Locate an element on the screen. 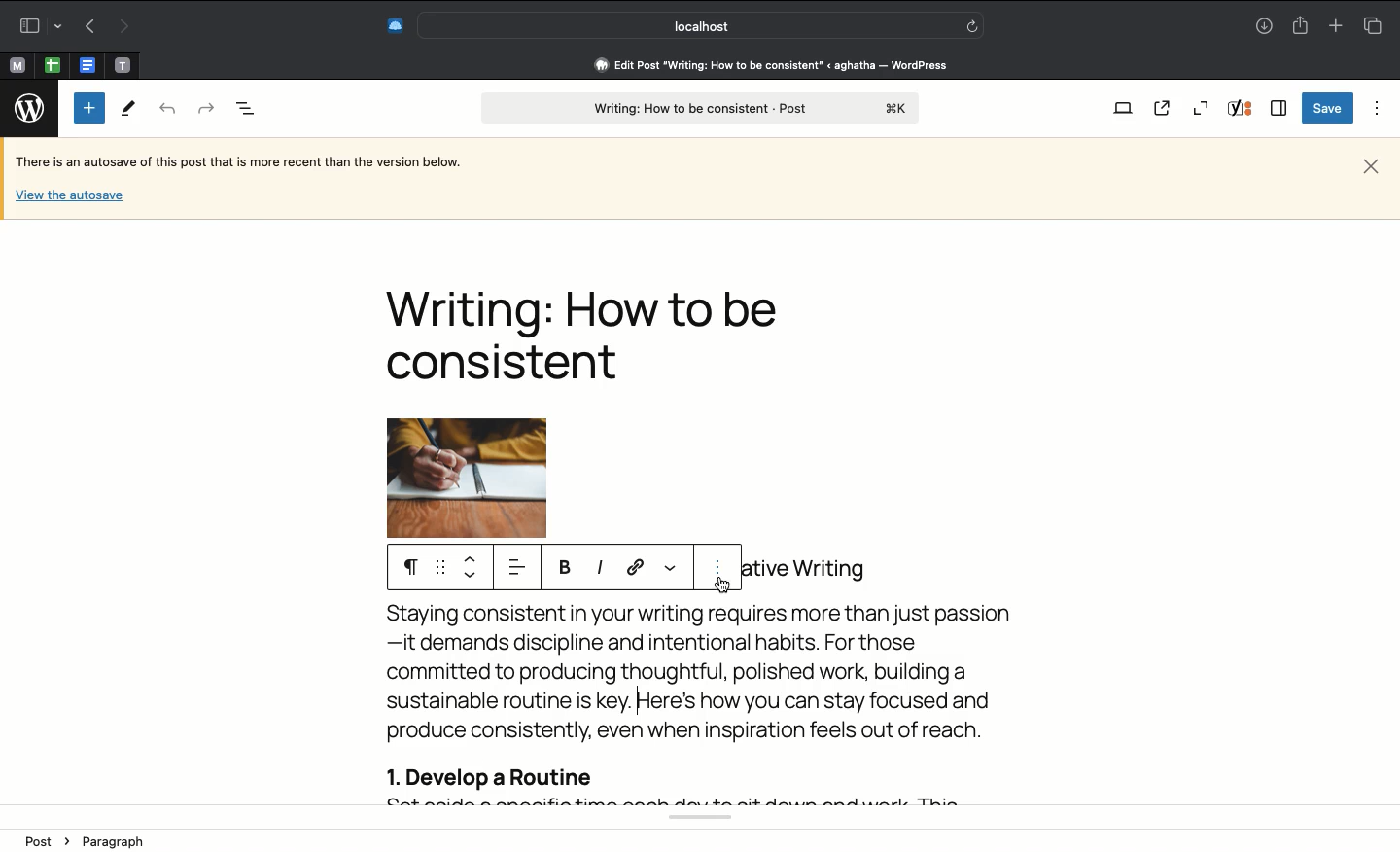 The image size is (1400, 852). Bold is located at coordinates (567, 568).